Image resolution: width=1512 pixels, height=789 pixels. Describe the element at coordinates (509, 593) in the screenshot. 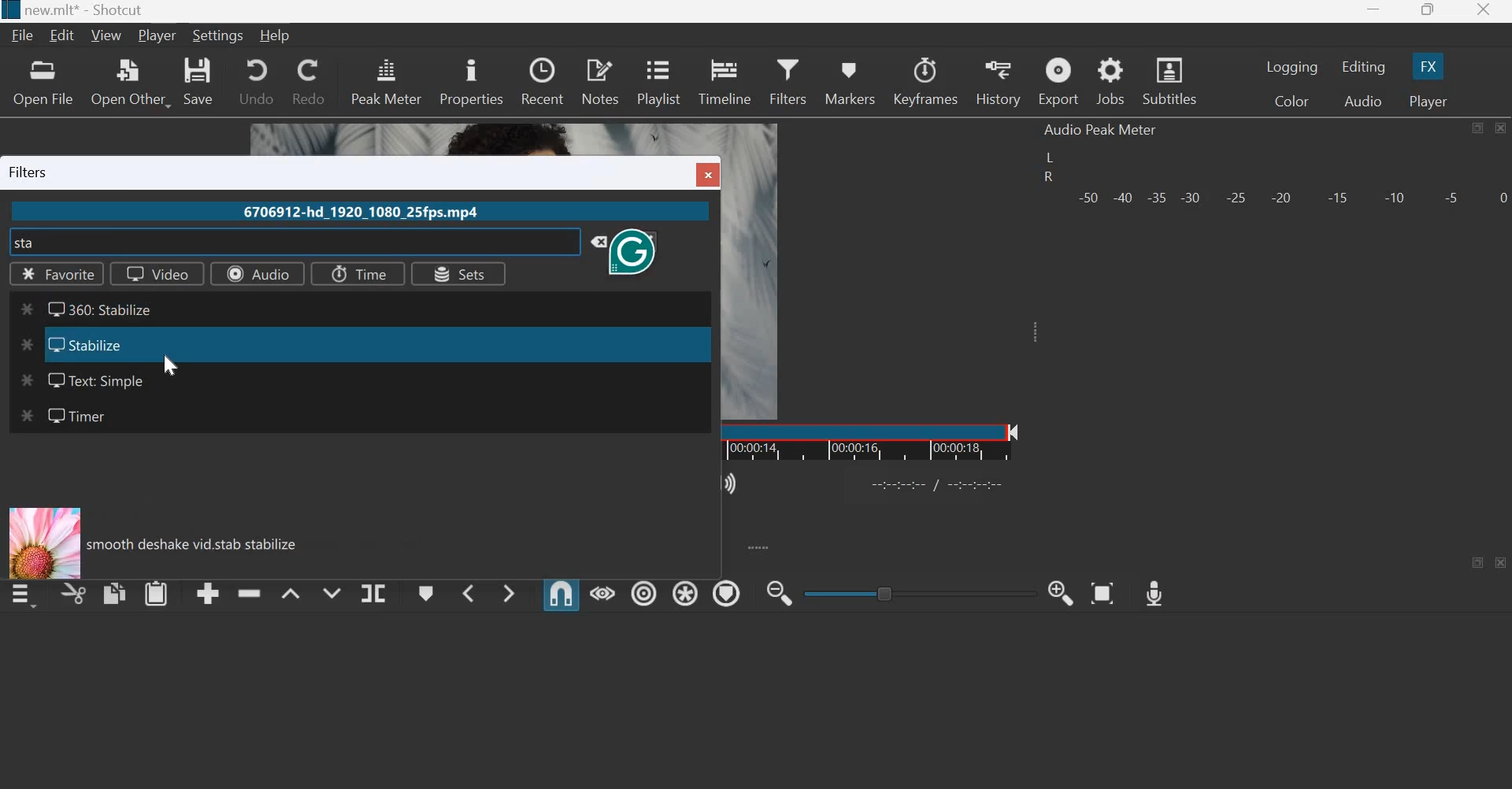

I see `Next Marker` at that location.